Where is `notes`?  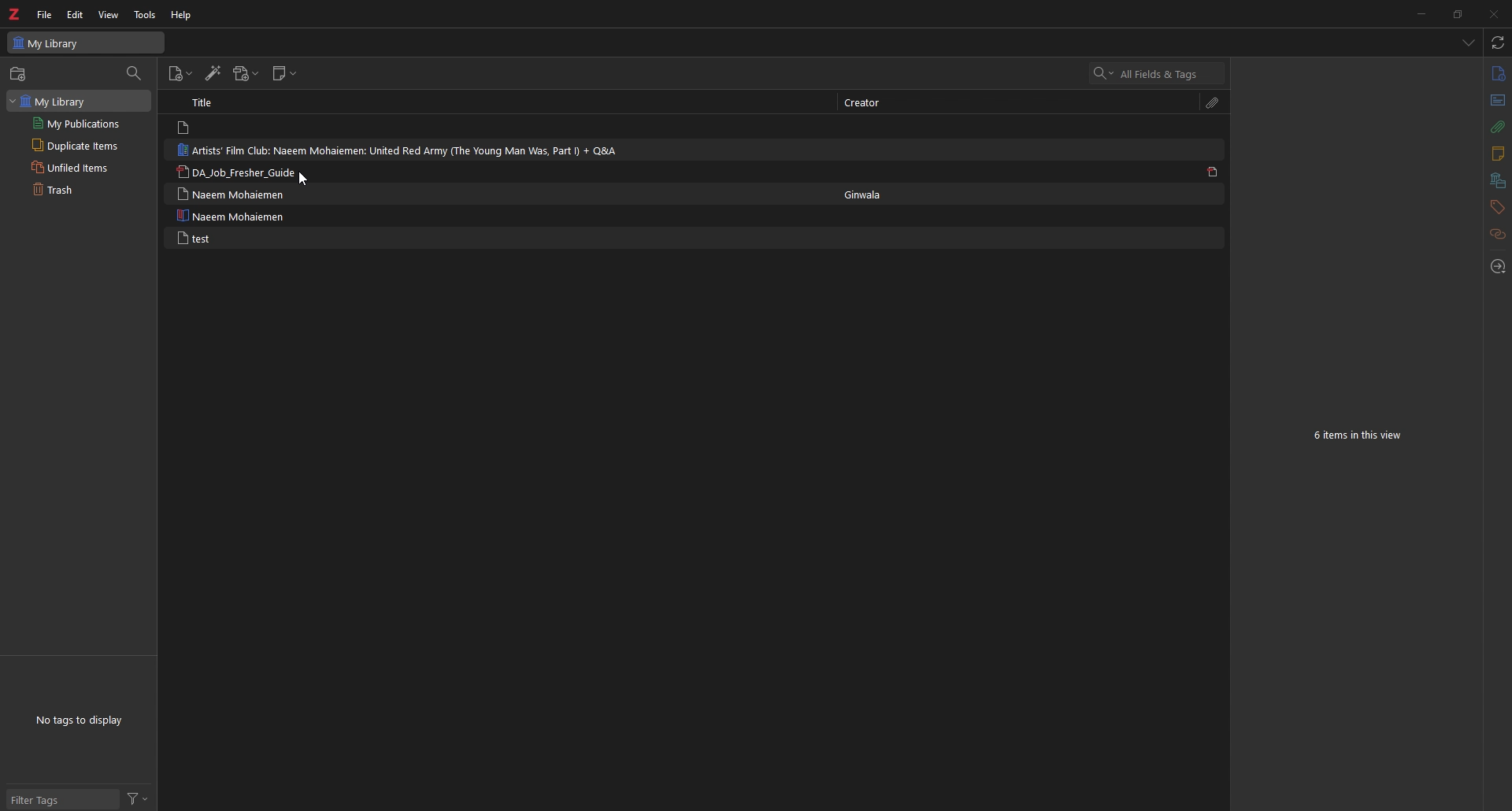 notes is located at coordinates (1495, 154).